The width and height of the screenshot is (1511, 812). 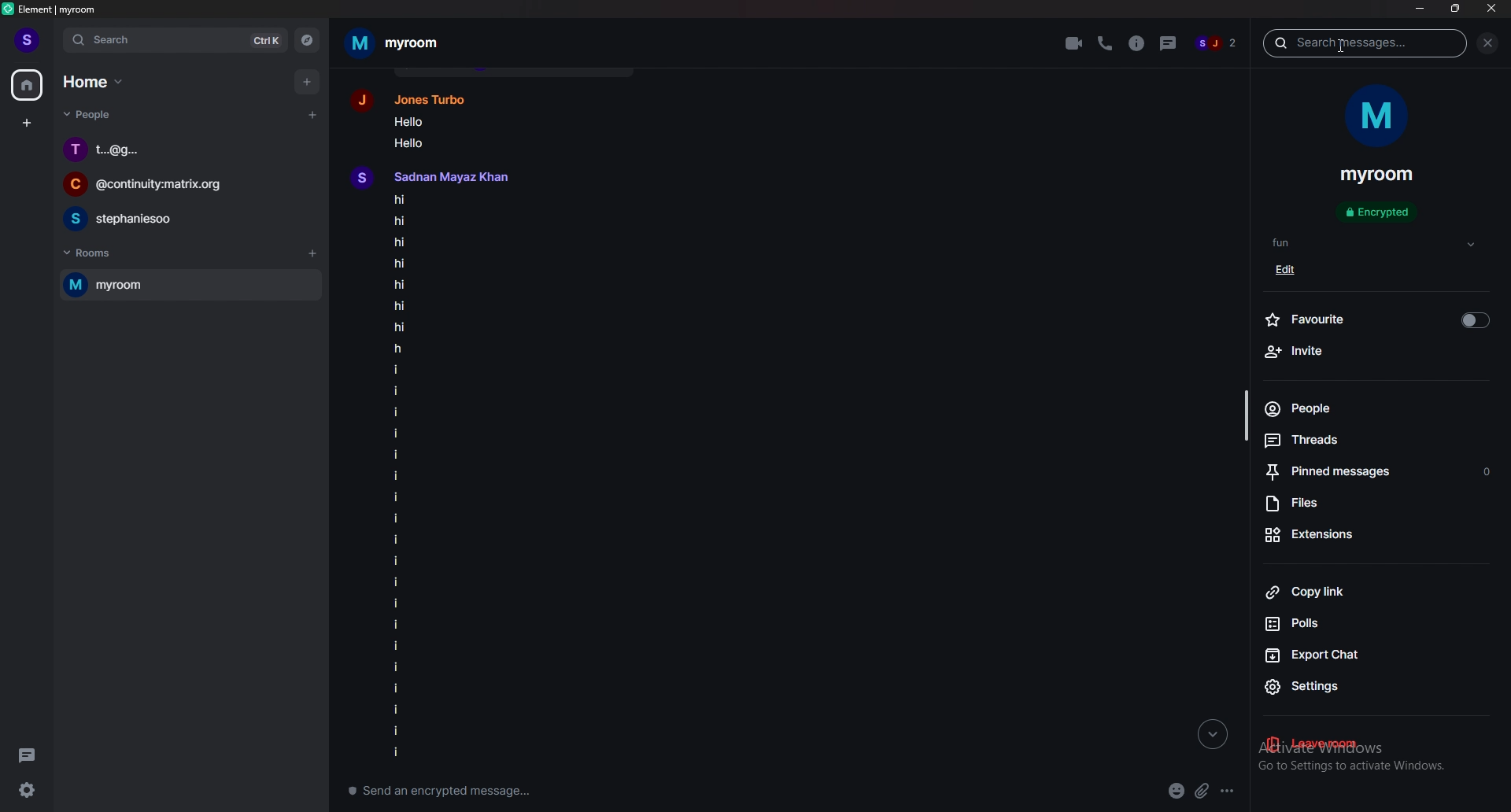 What do you see at coordinates (312, 256) in the screenshot?
I see `add rooms` at bounding box center [312, 256].